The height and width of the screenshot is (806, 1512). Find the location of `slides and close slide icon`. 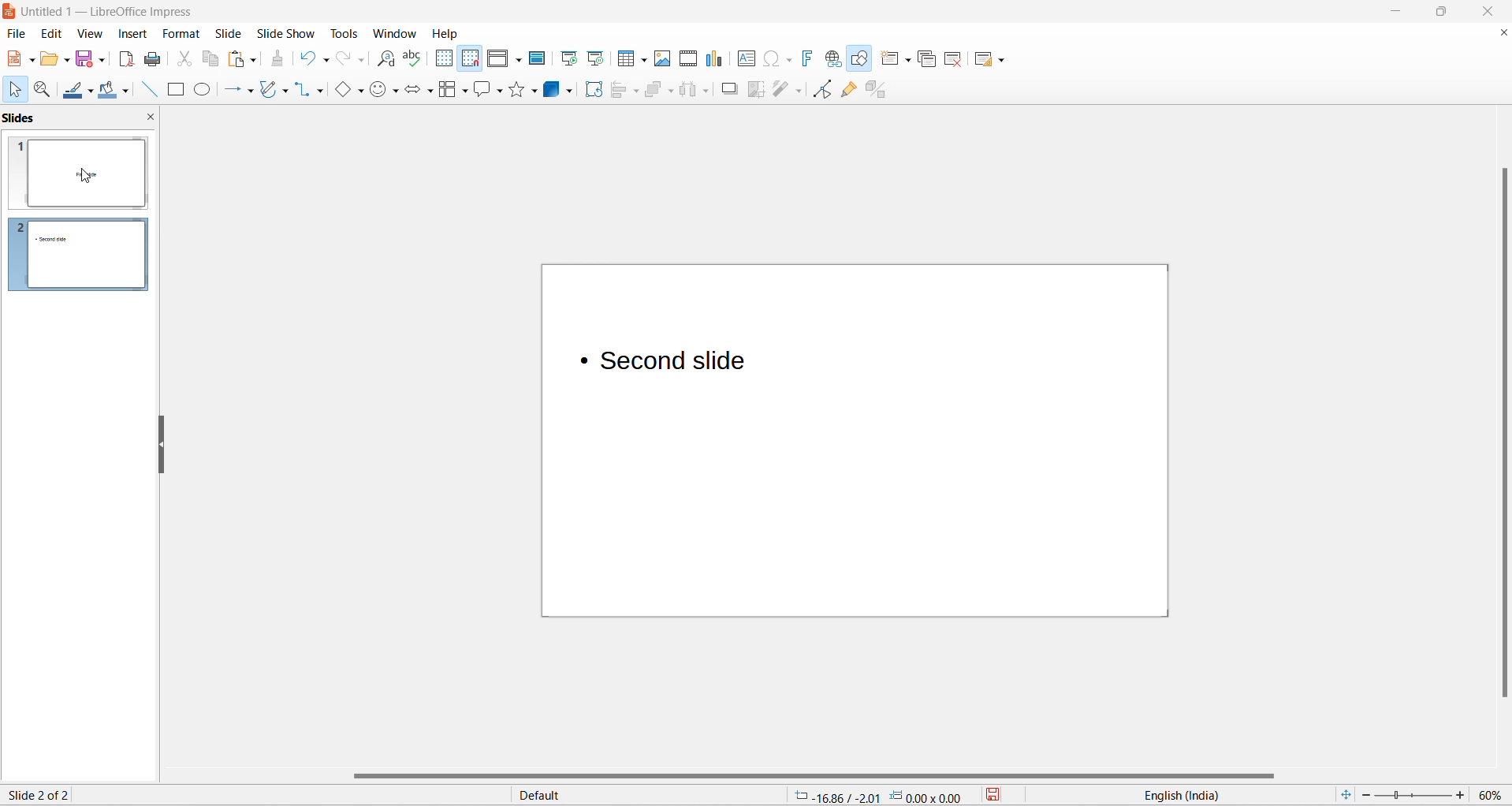

slides and close slide icon is located at coordinates (83, 119).